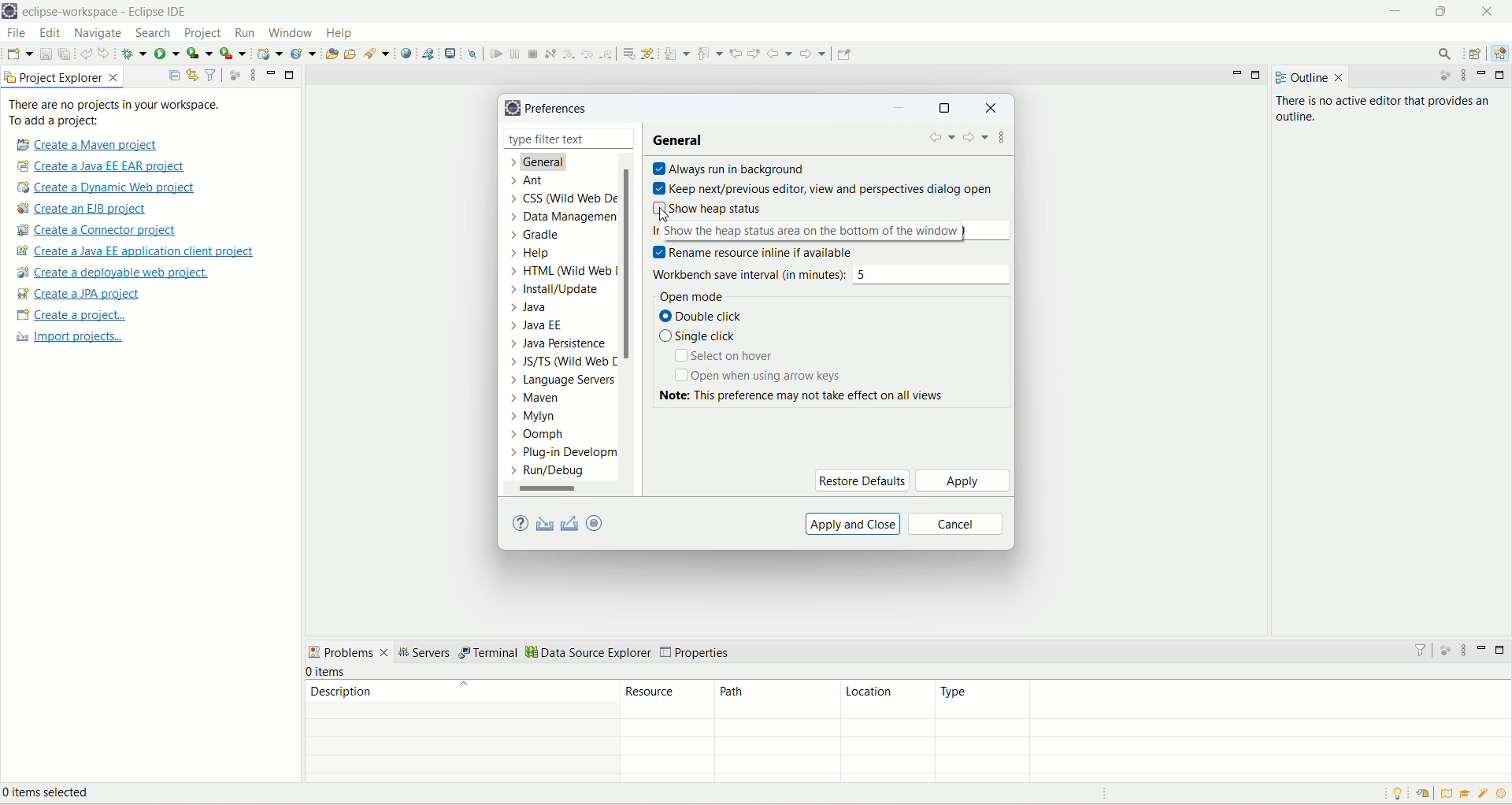  I want to click on view menu, so click(1463, 650).